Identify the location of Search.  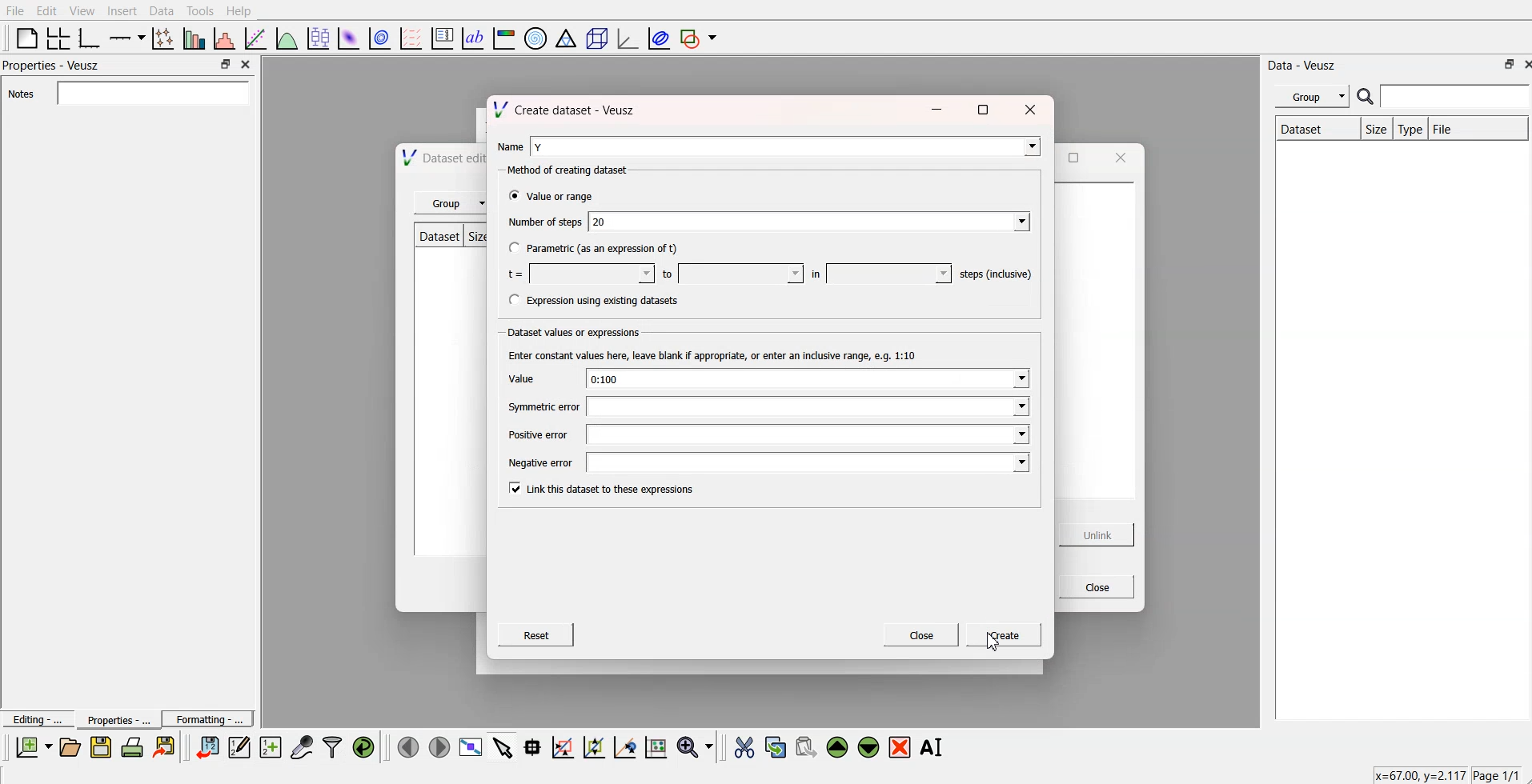
(1444, 97).